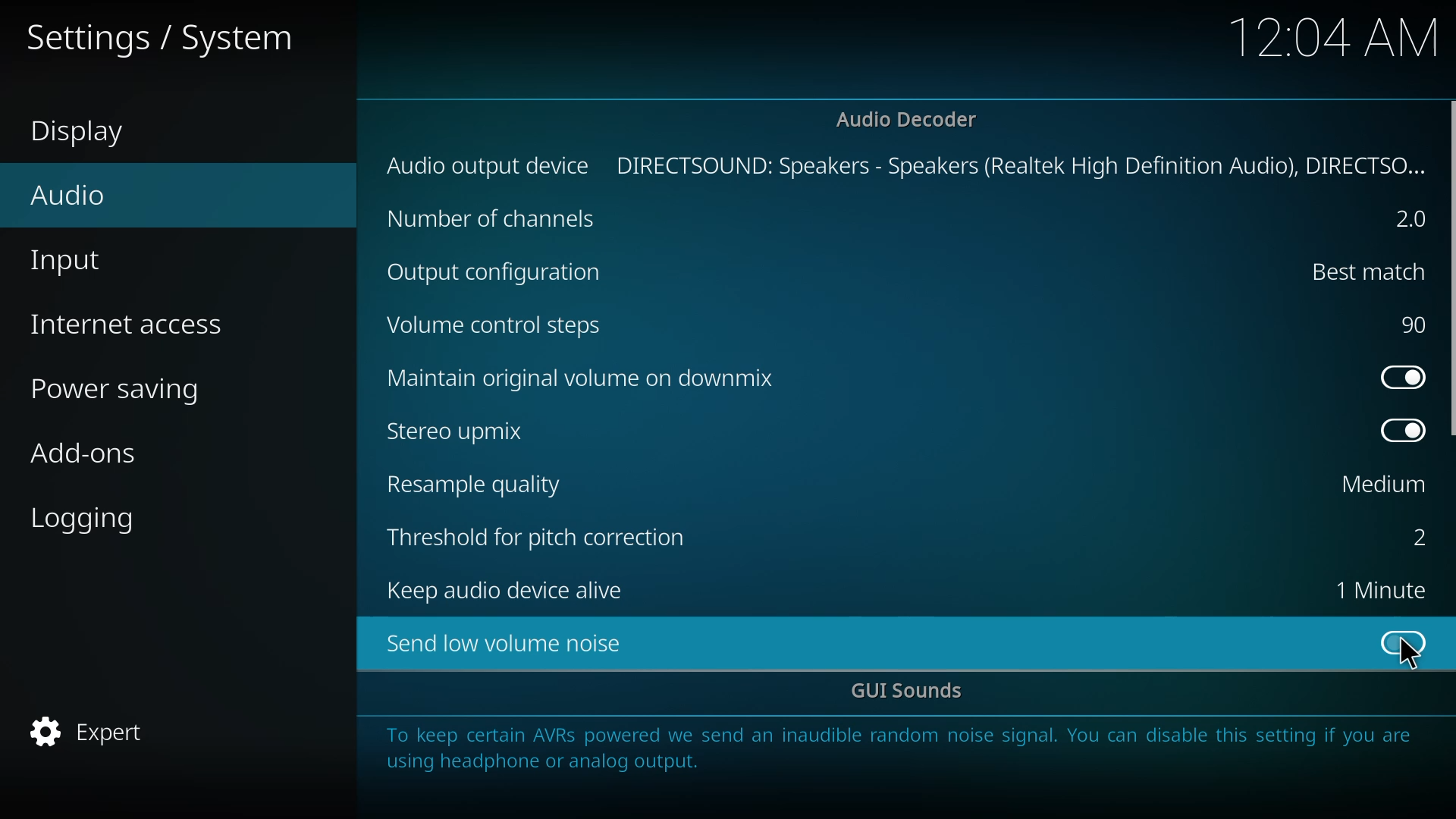  I want to click on audio output device, so click(489, 165).